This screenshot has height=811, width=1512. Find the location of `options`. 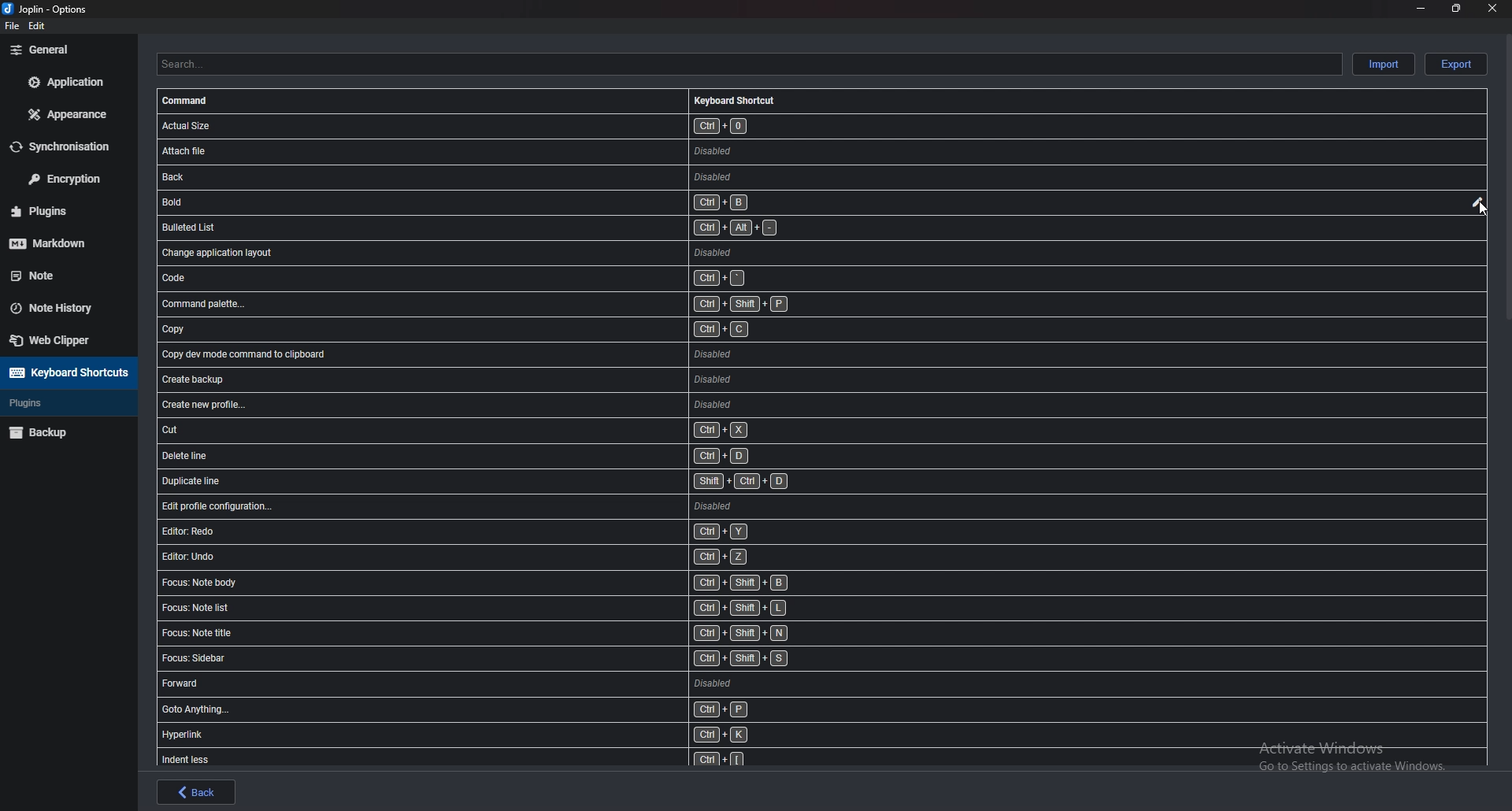

options is located at coordinates (47, 9).